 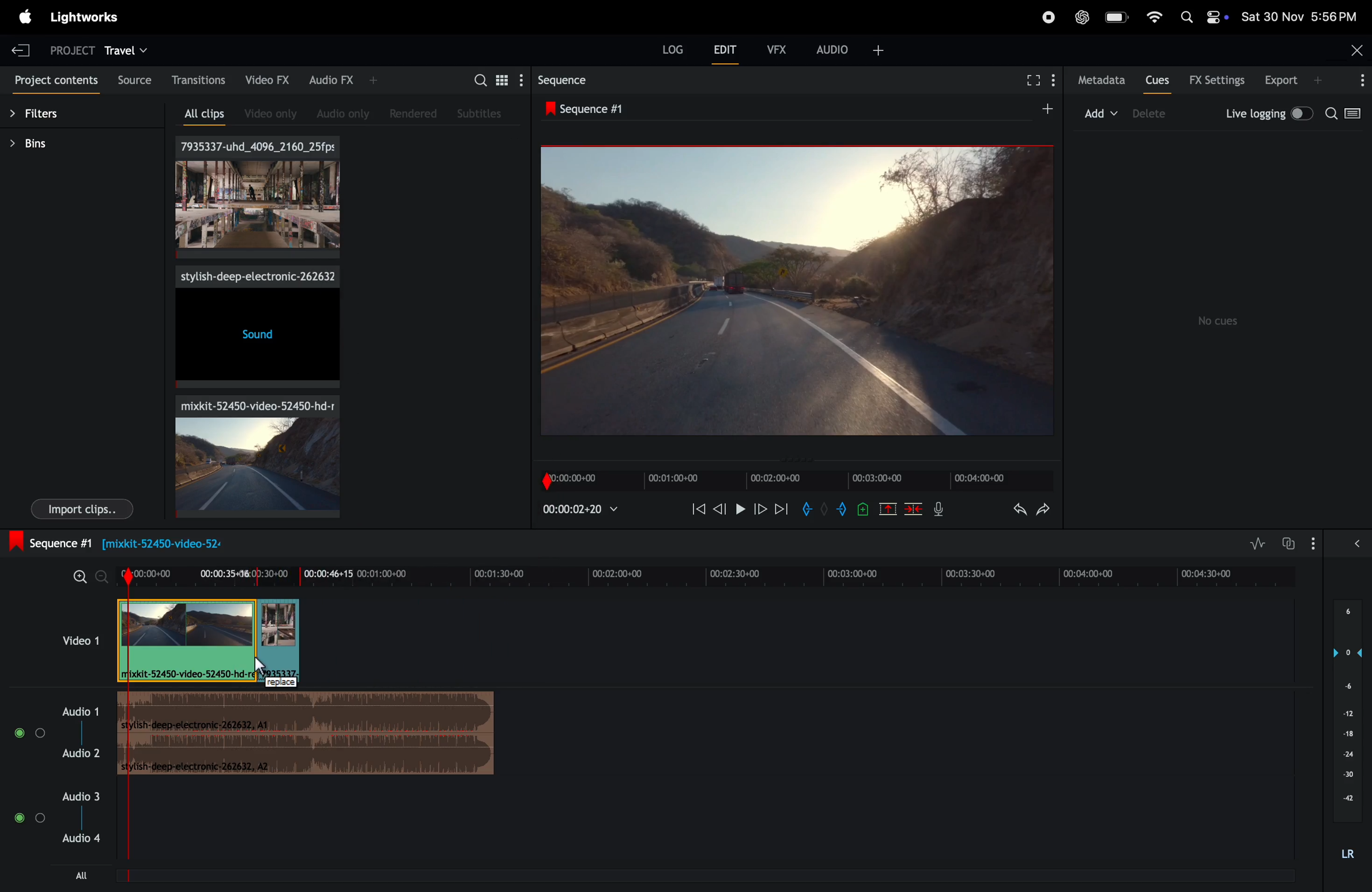 What do you see at coordinates (1299, 17) in the screenshot?
I see `date and time` at bounding box center [1299, 17].